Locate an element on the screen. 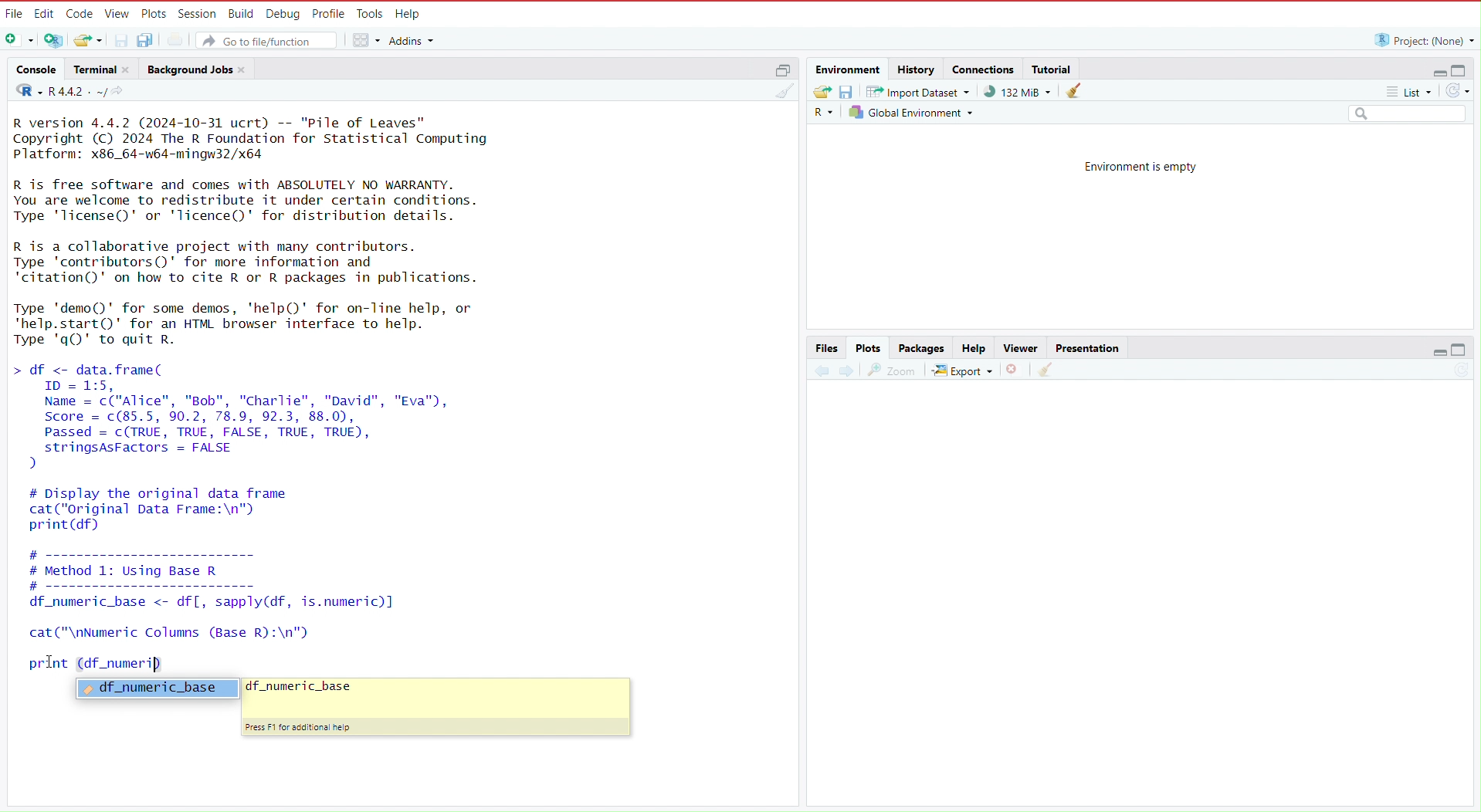  history is located at coordinates (917, 68).